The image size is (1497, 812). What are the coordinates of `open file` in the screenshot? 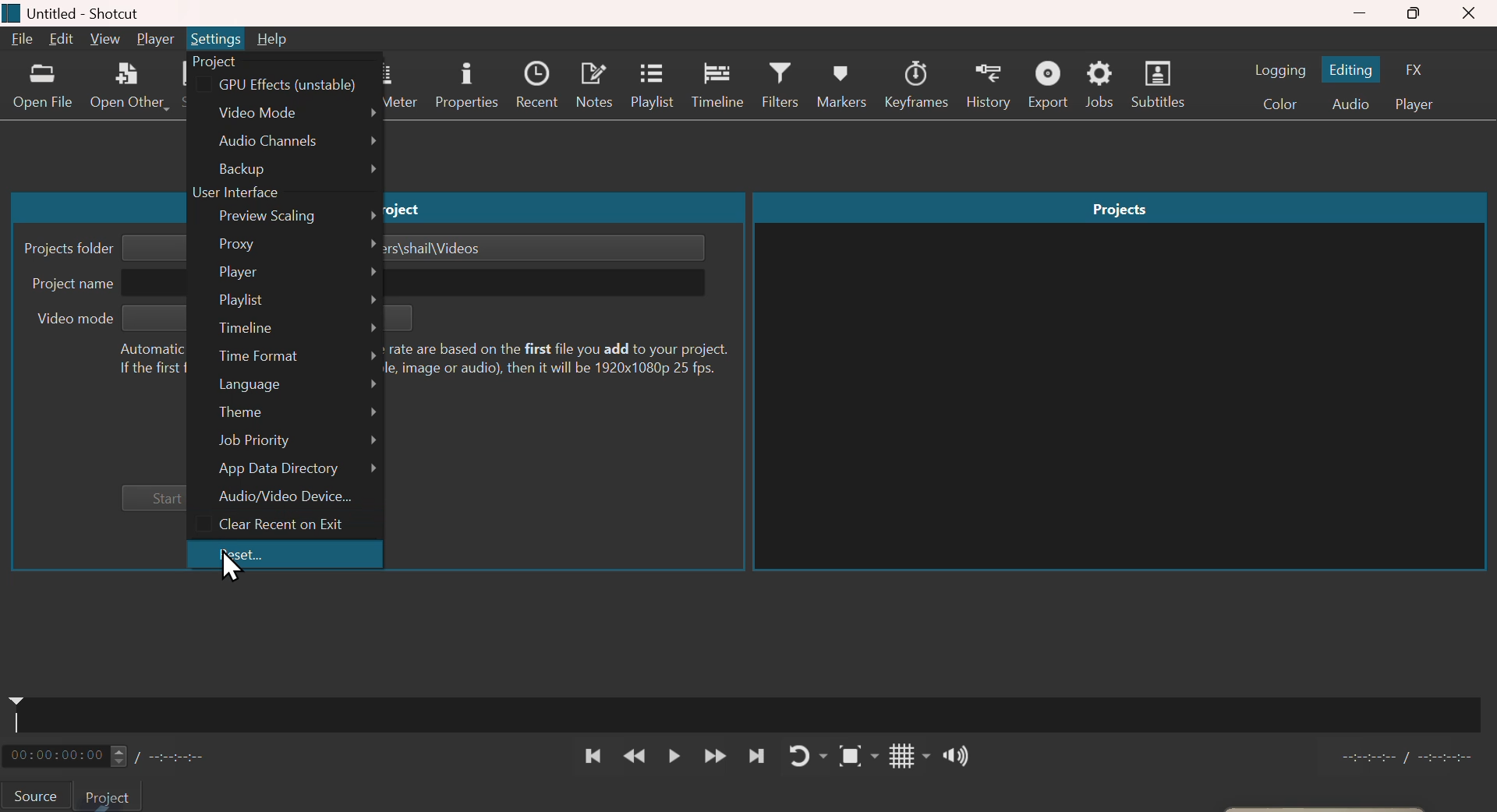 It's located at (41, 90).